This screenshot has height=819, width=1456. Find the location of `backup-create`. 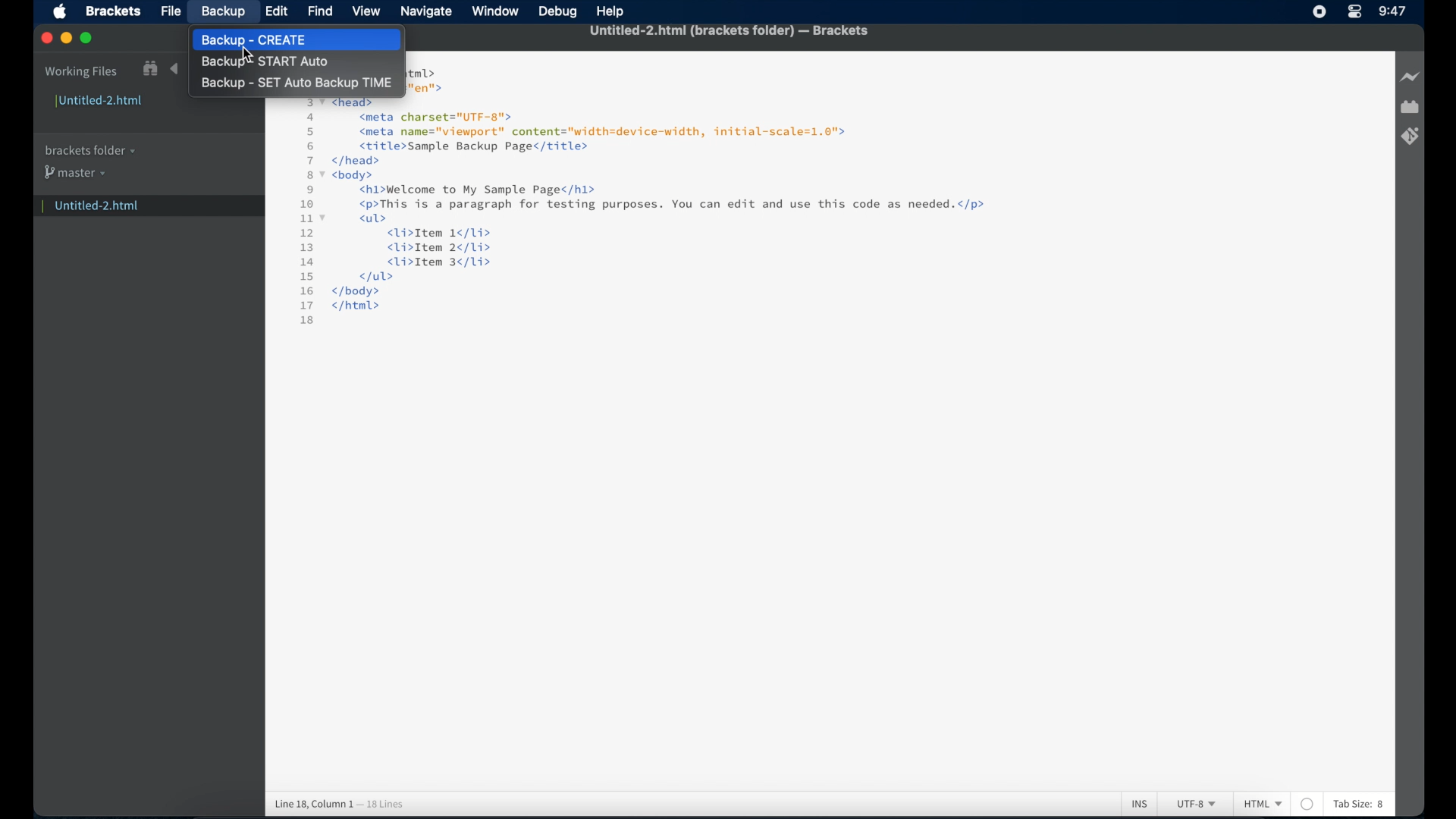

backup-create is located at coordinates (278, 39).